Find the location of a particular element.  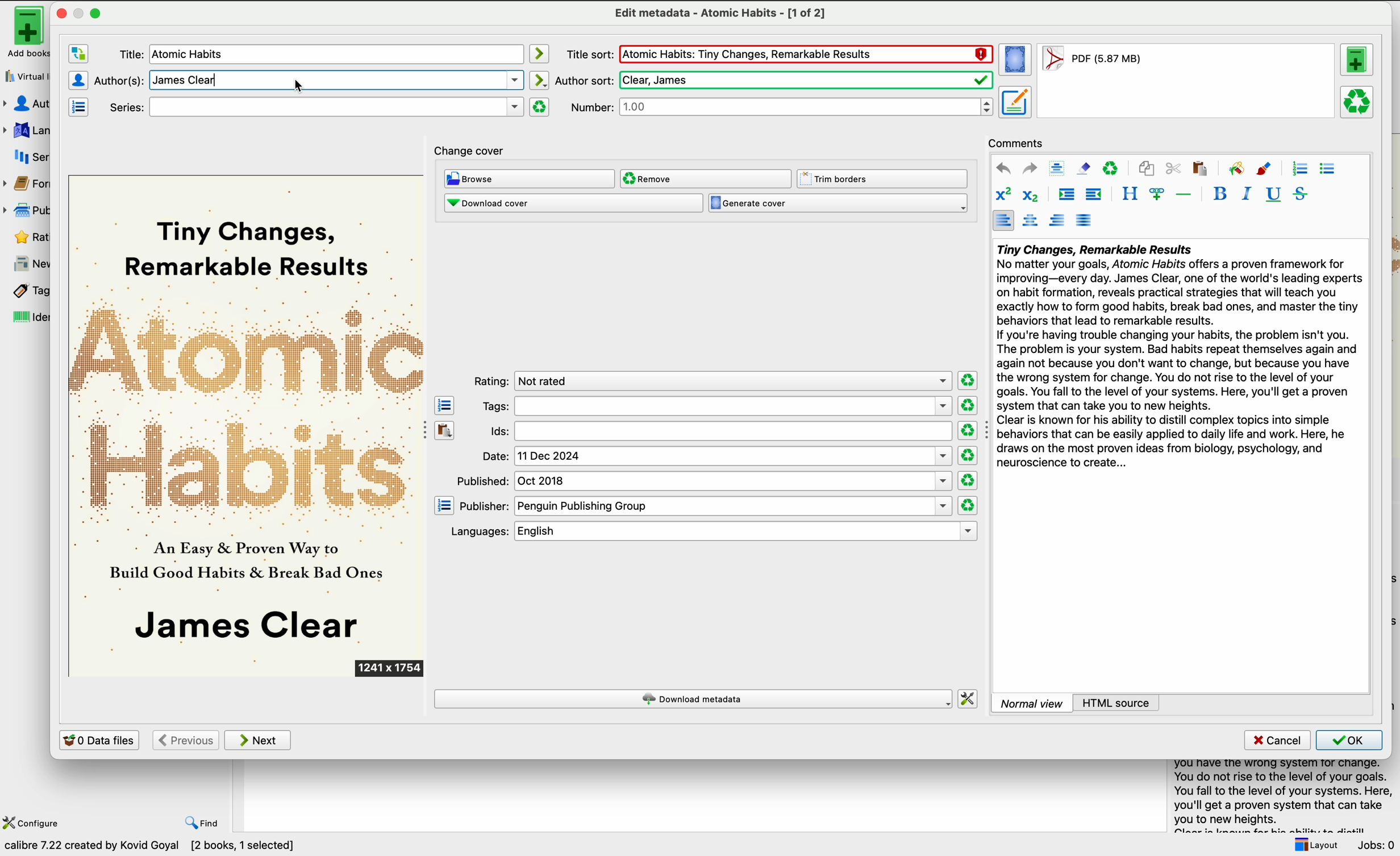

virtual library is located at coordinates (24, 76).